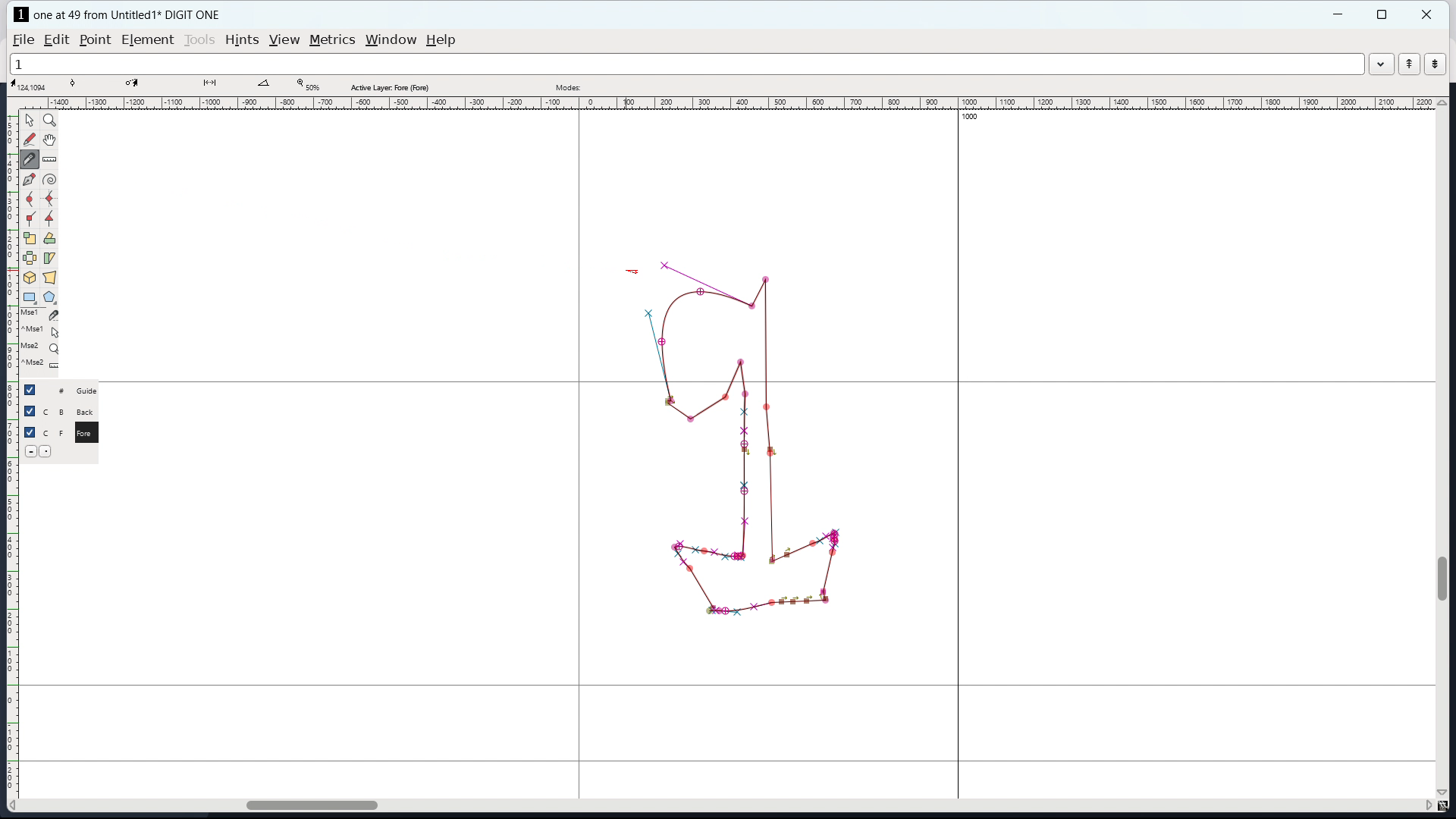  Describe the element at coordinates (30, 432) in the screenshot. I see `is layer visible` at that location.